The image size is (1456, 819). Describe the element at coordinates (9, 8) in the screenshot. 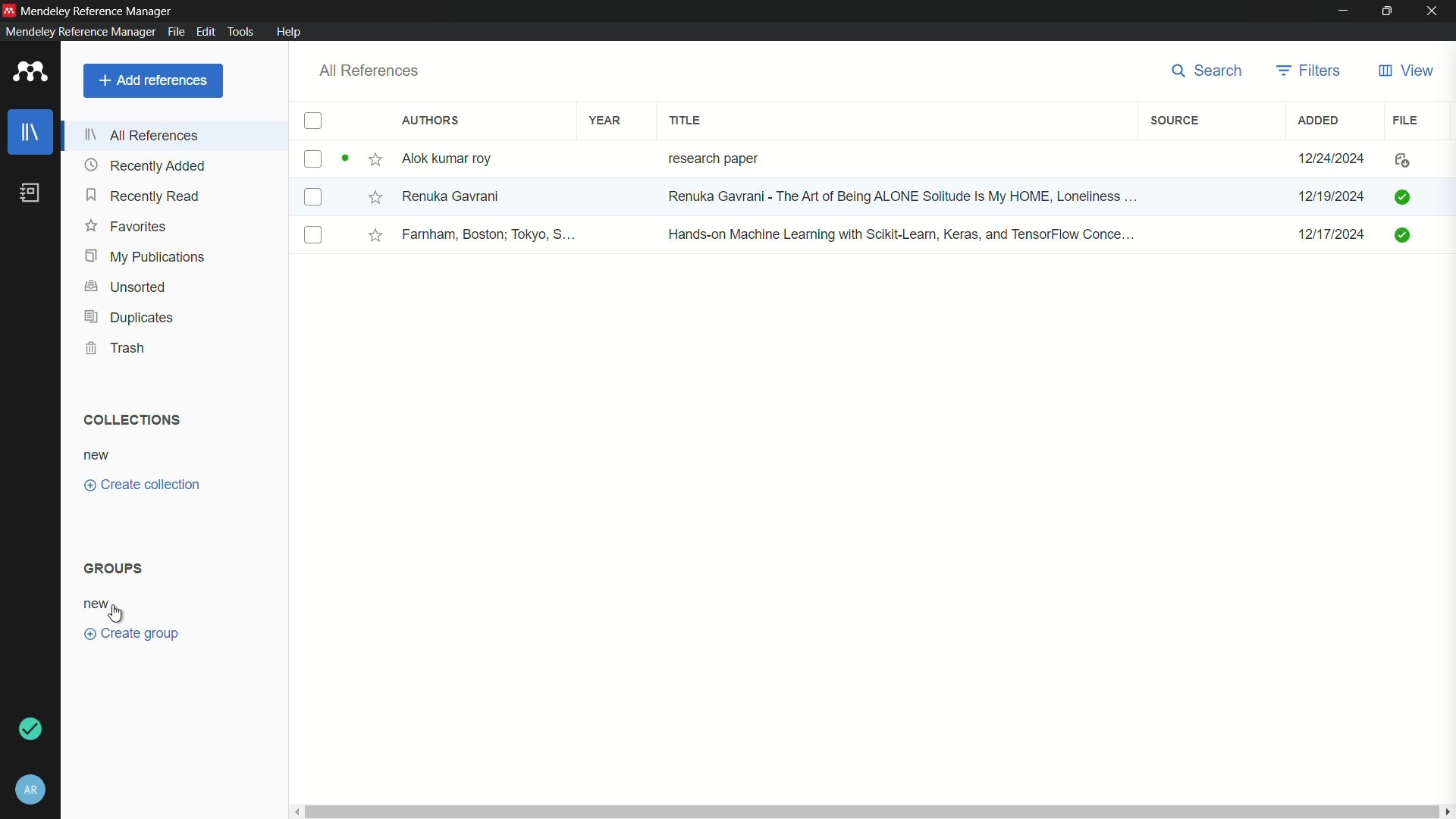

I see `app icon` at that location.